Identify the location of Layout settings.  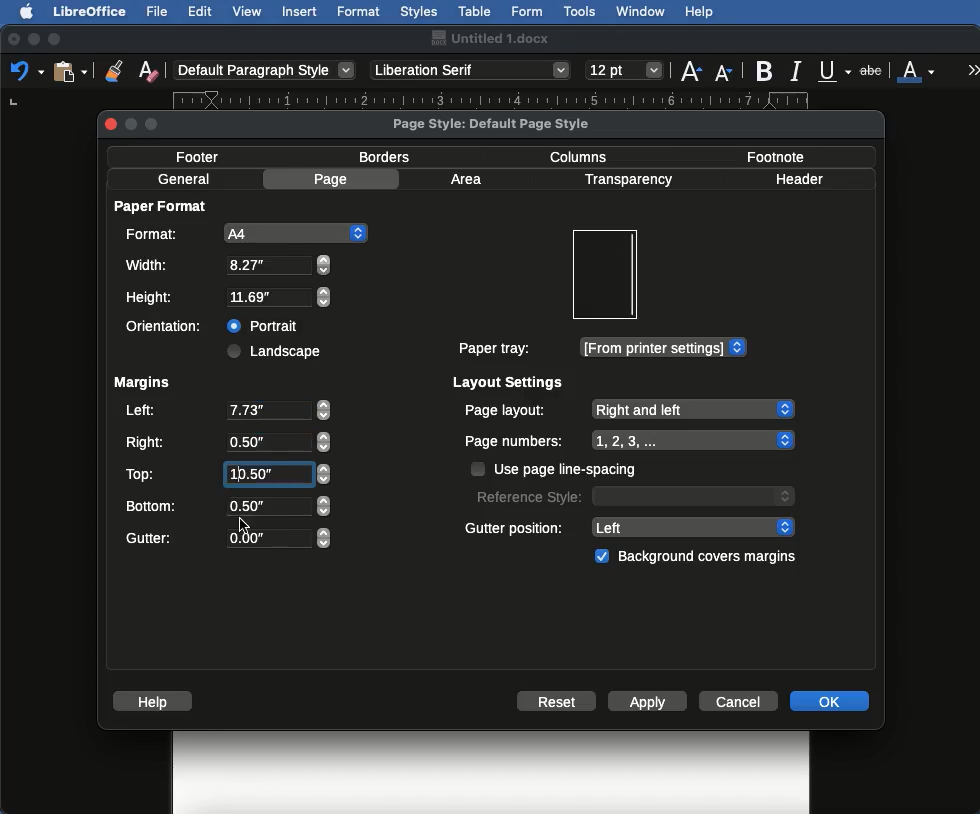
(509, 382).